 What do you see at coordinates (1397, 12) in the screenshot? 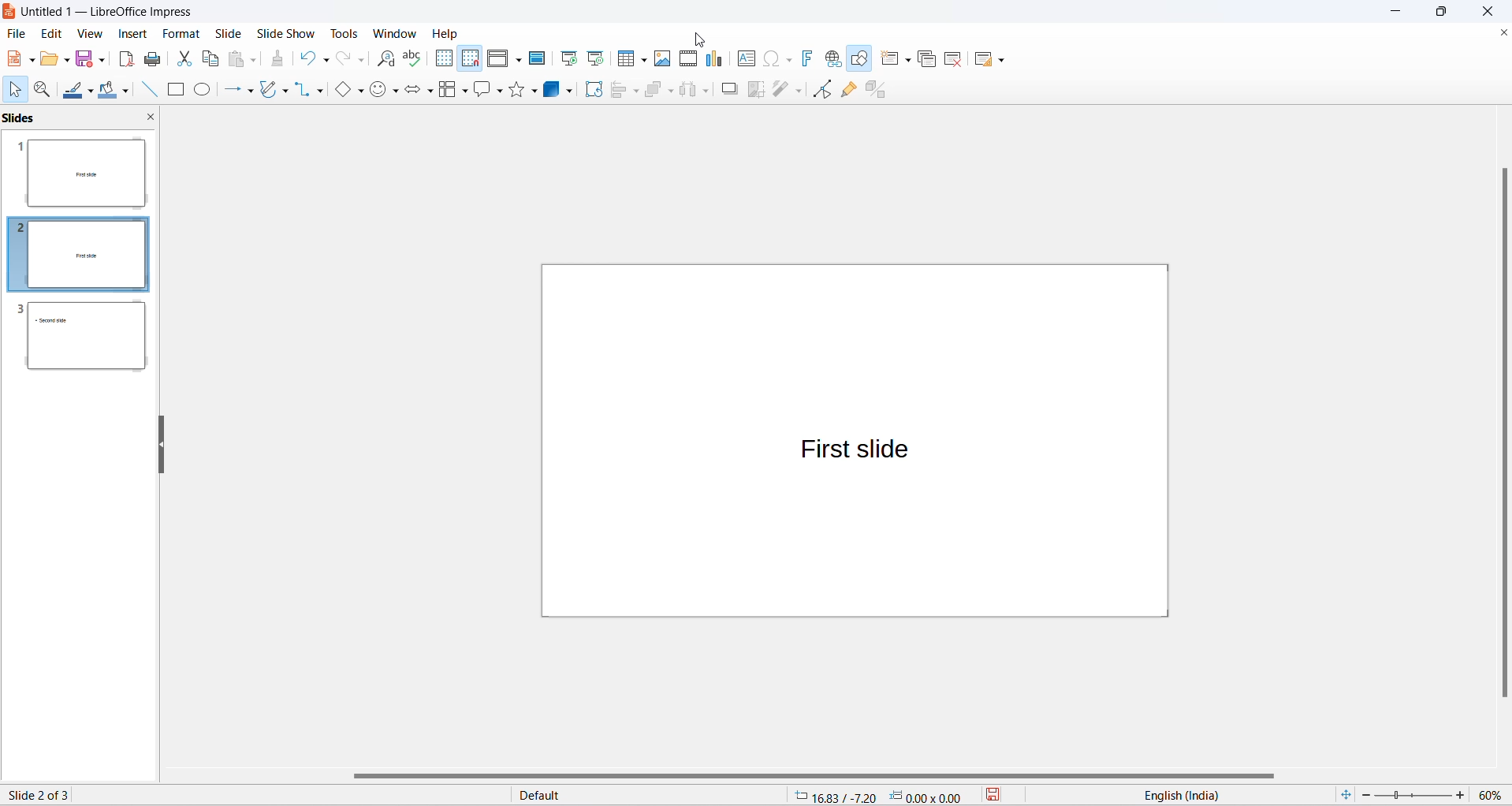
I see `minimize` at bounding box center [1397, 12].